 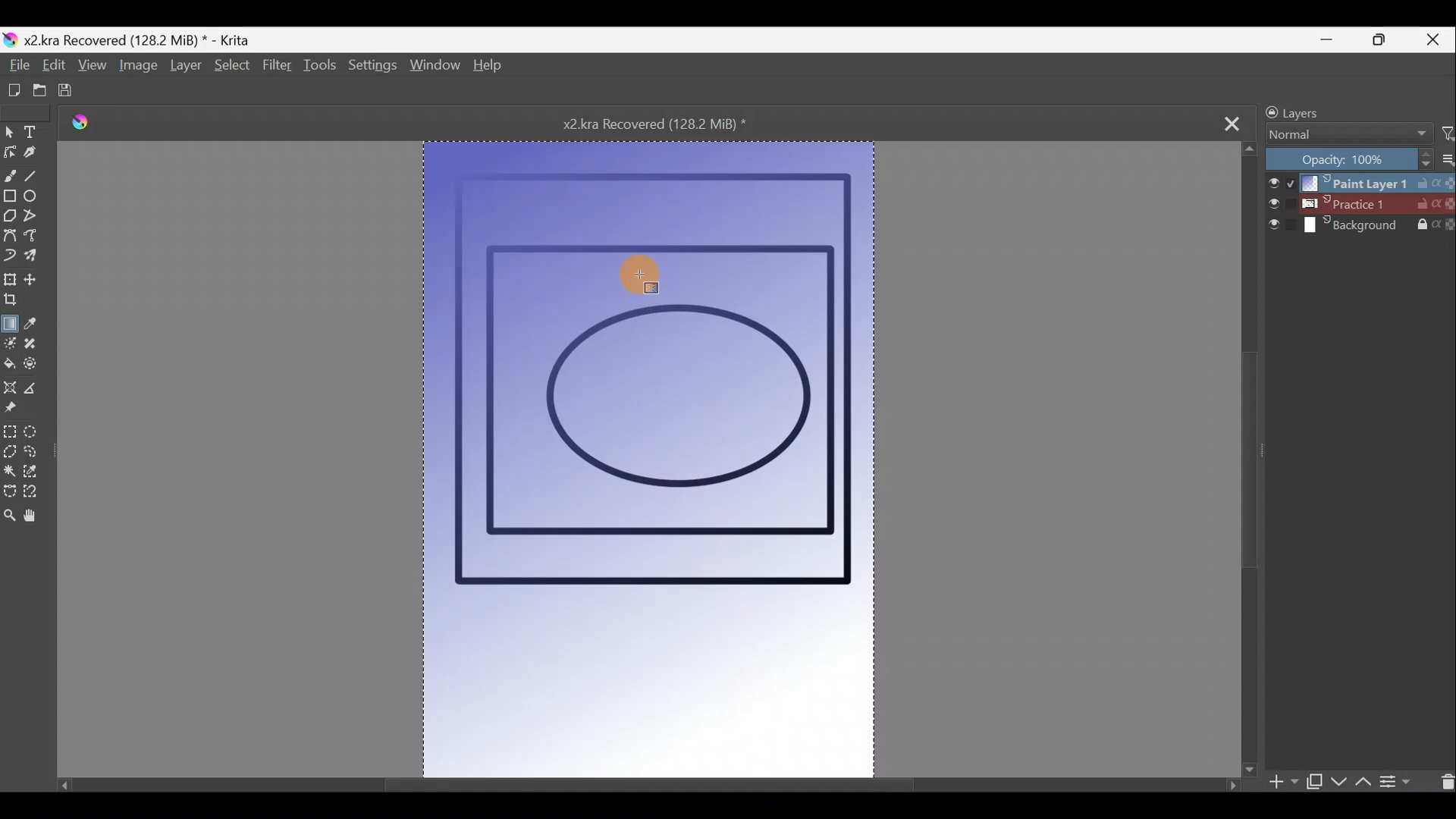 What do you see at coordinates (93, 69) in the screenshot?
I see `View` at bounding box center [93, 69].